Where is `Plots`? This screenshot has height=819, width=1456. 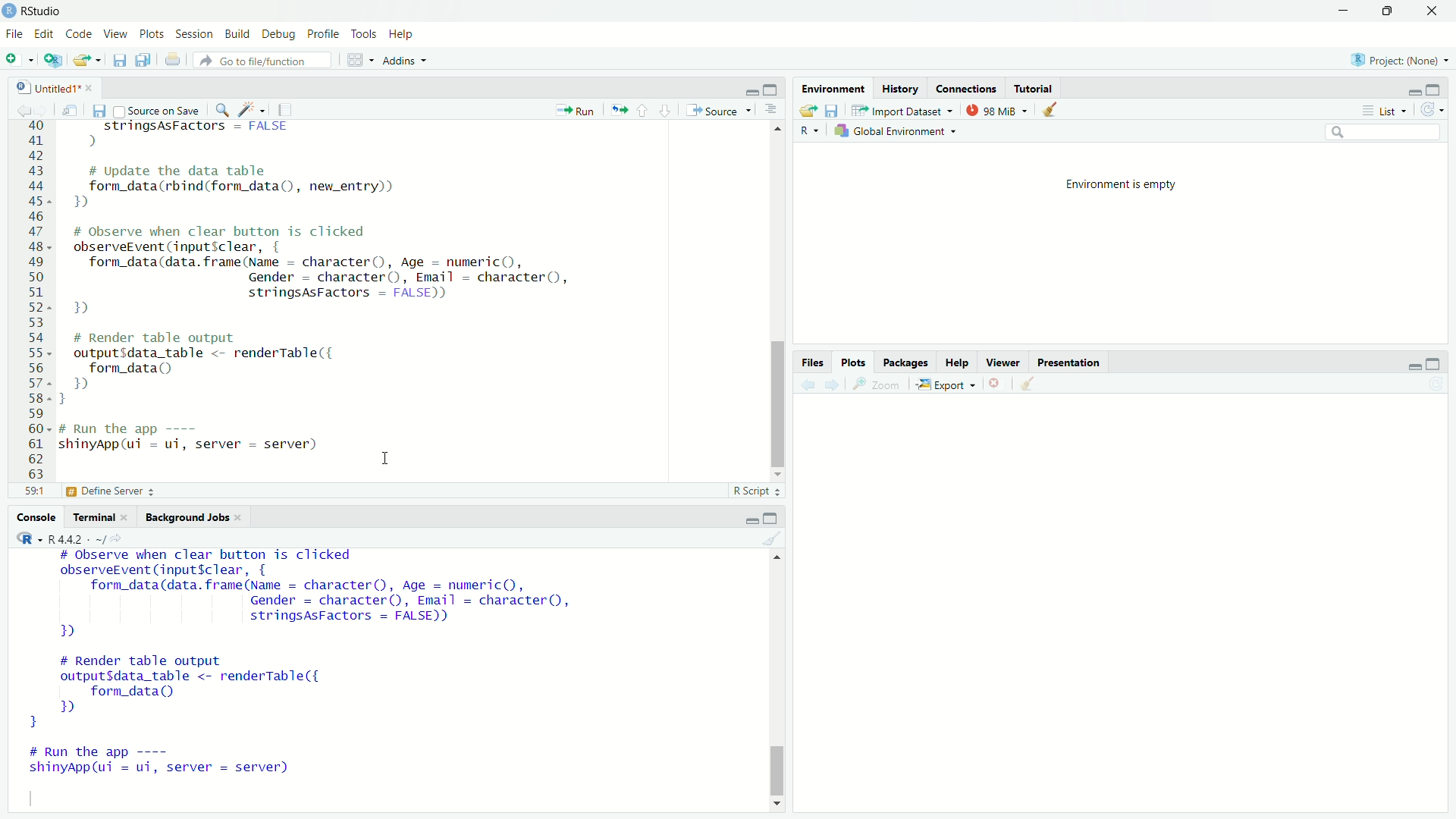 Plots is located at coordinates (152, 34).